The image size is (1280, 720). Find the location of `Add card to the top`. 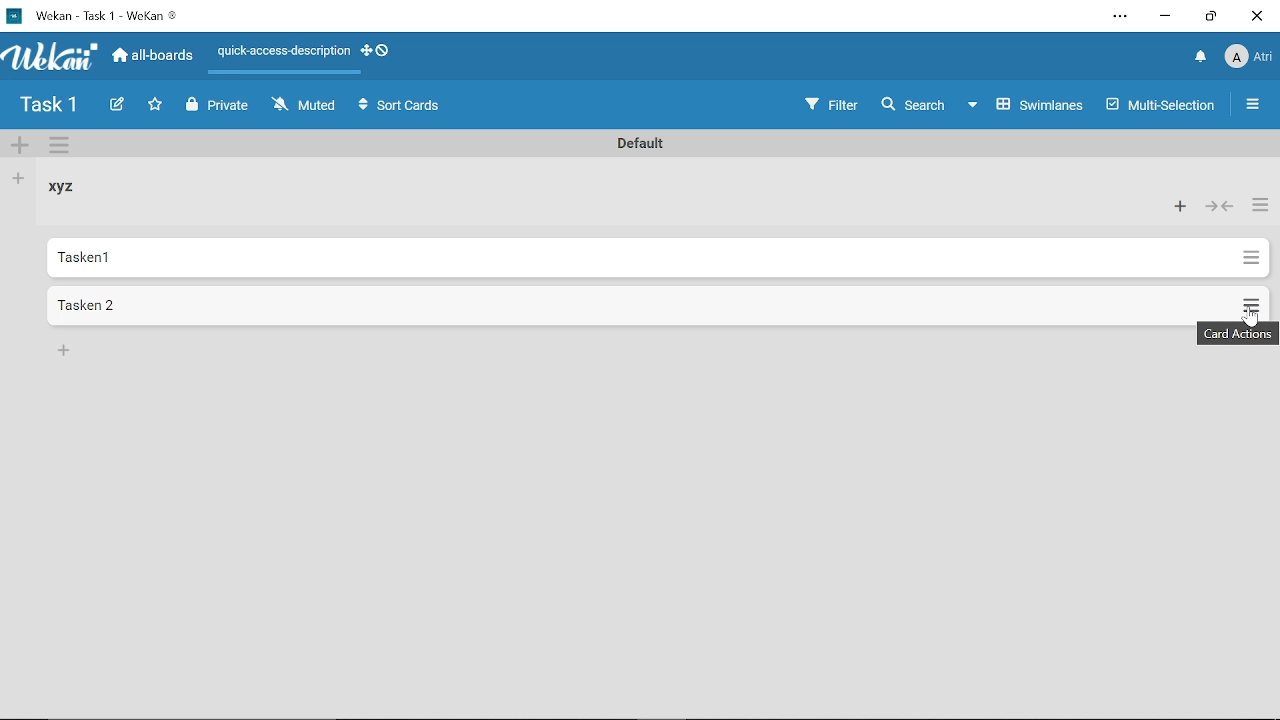

Add card to the top is located at coordinates (1179, 208).